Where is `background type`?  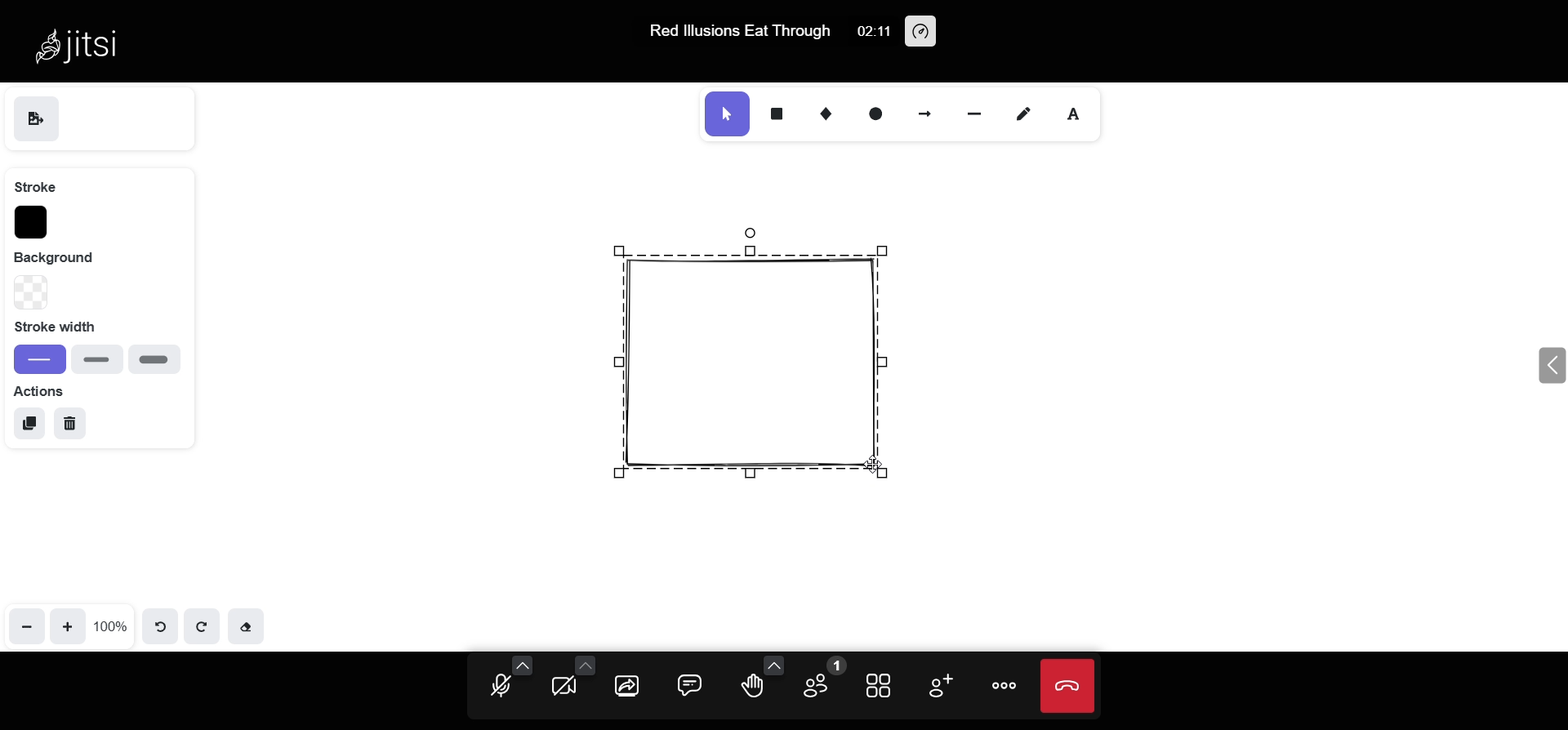
background type is located at coordinates (29, 292).